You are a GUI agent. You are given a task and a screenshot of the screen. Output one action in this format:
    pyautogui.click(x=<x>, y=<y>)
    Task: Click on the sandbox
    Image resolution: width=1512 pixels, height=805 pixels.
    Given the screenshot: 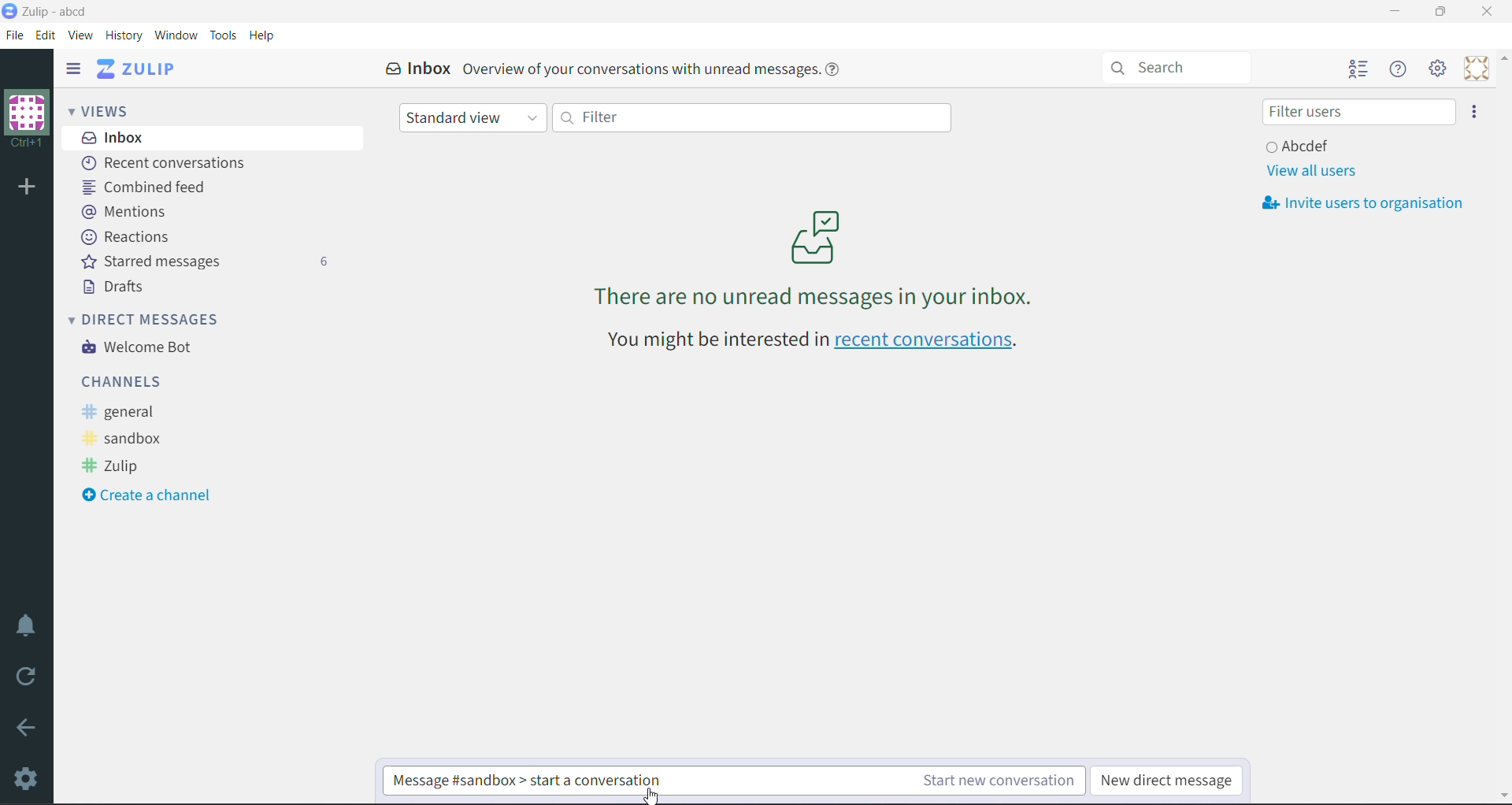 What is the action you would take?
    pyautogui.click(x=128, y=440)
    